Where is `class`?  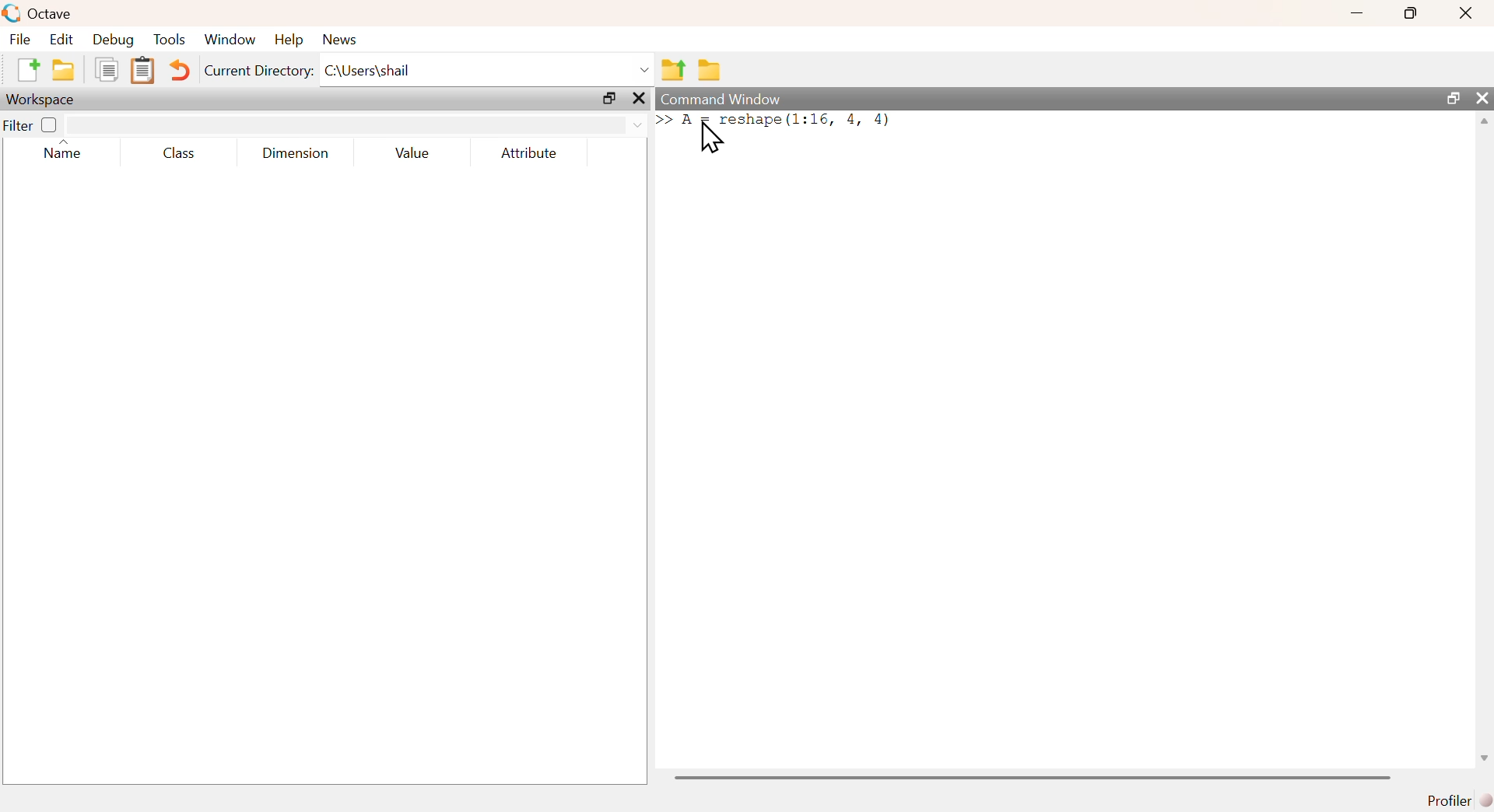
class is located at coordinates (180, 154).